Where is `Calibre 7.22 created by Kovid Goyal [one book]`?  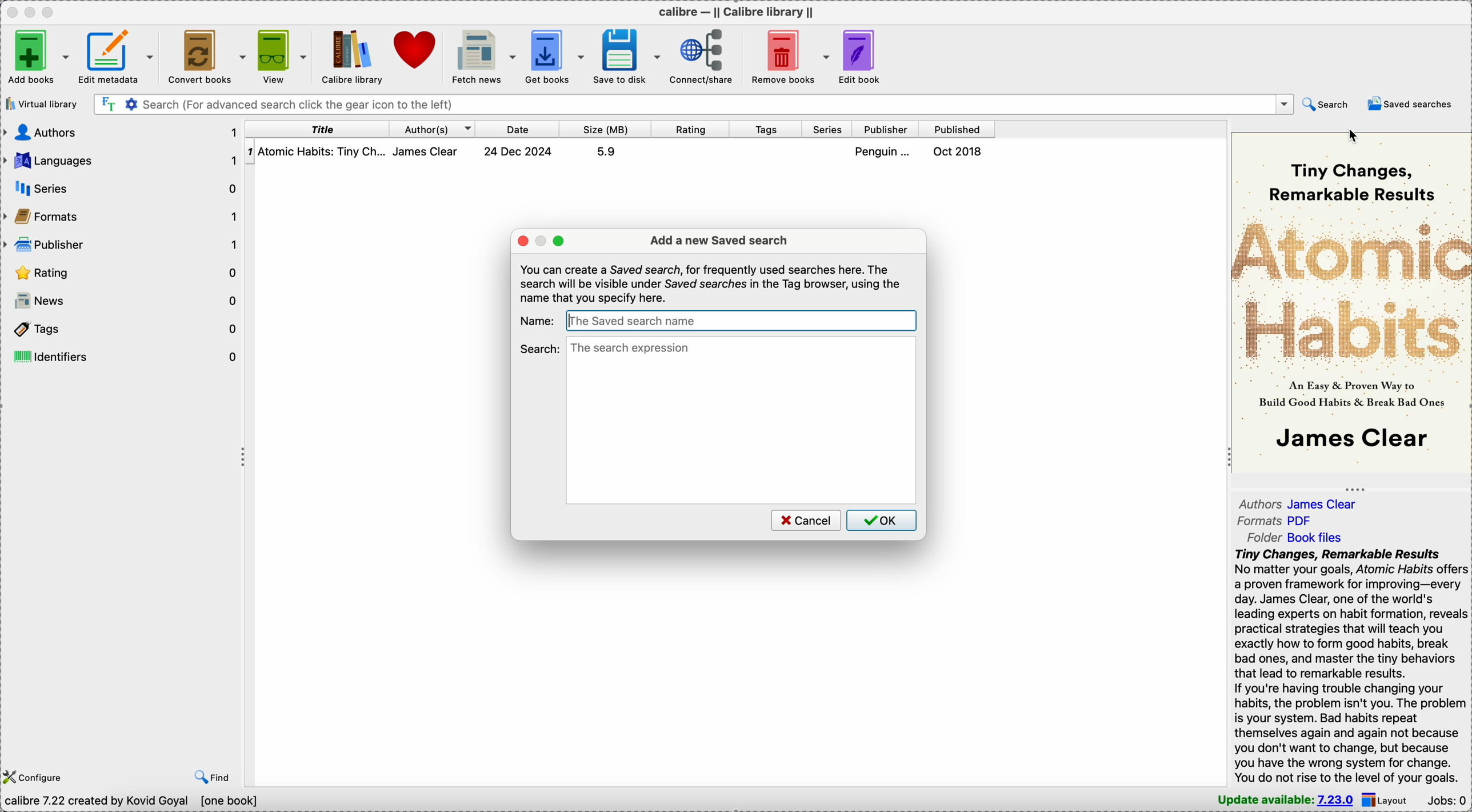
Calibre 7.22 created by Kovid Goyal [one book] is located at coordinates (133, 801).